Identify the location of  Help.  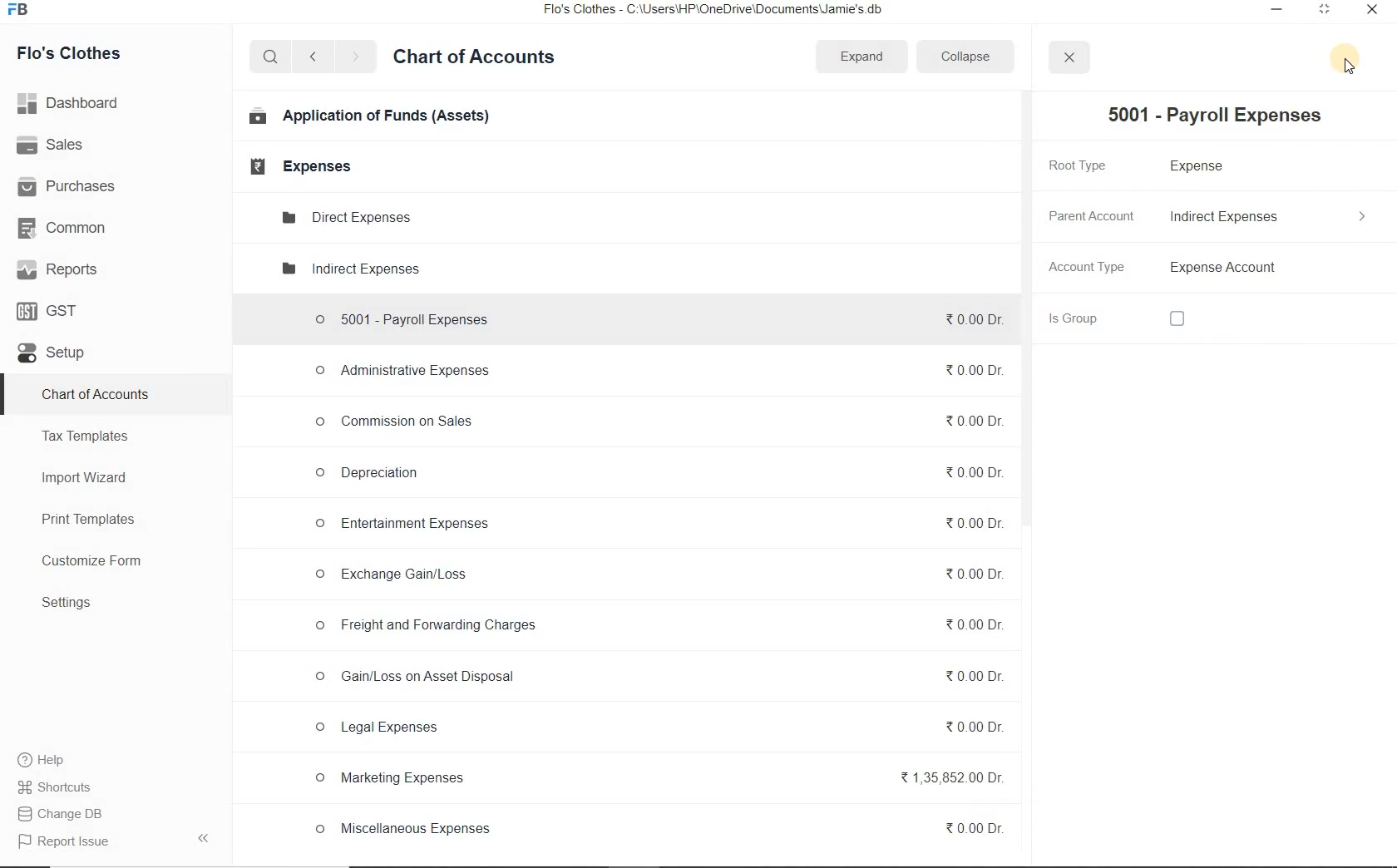
(51, 760).